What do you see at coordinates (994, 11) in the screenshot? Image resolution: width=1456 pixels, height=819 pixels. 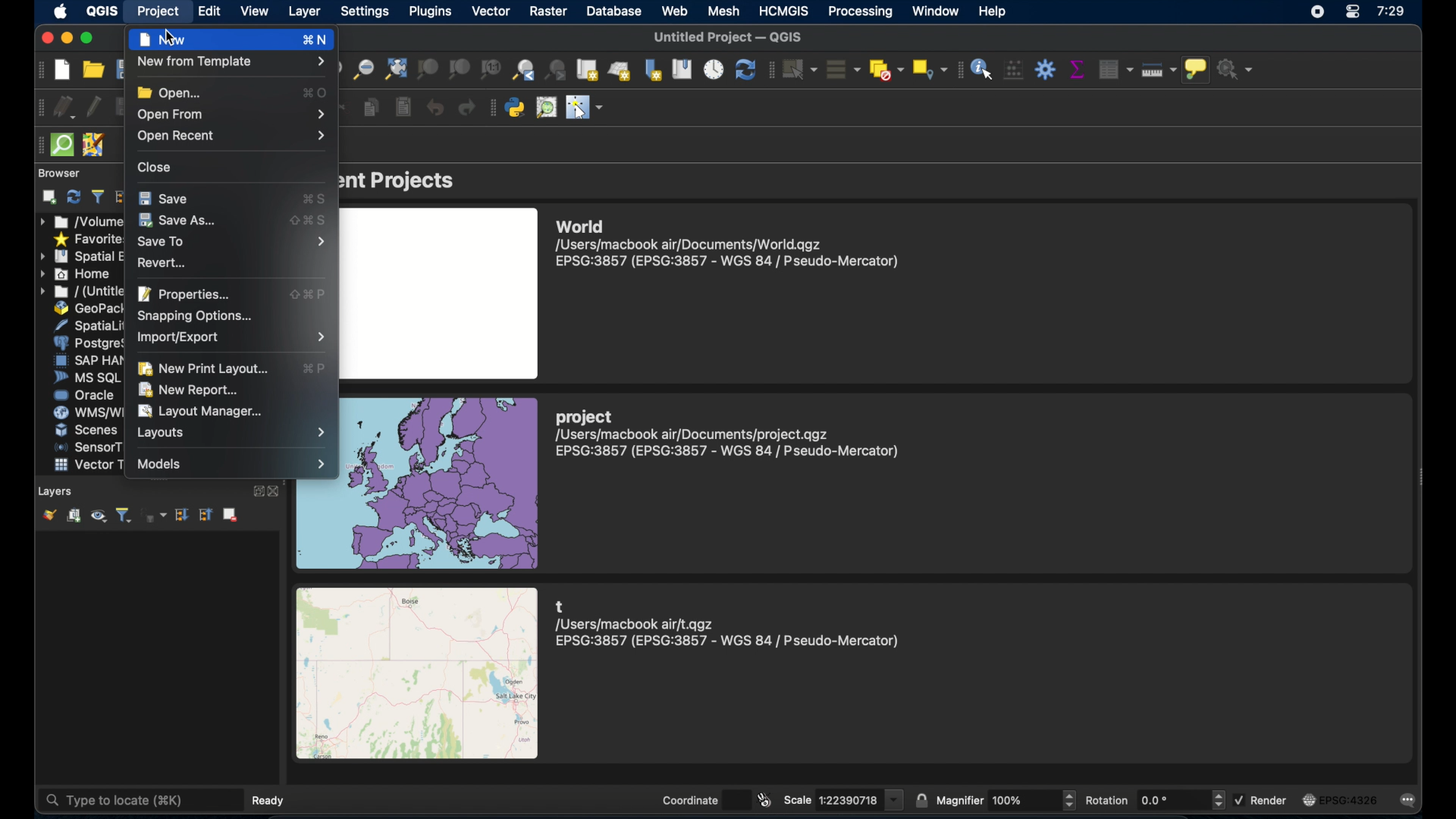 I see `help` at bounding box center [994, 11].